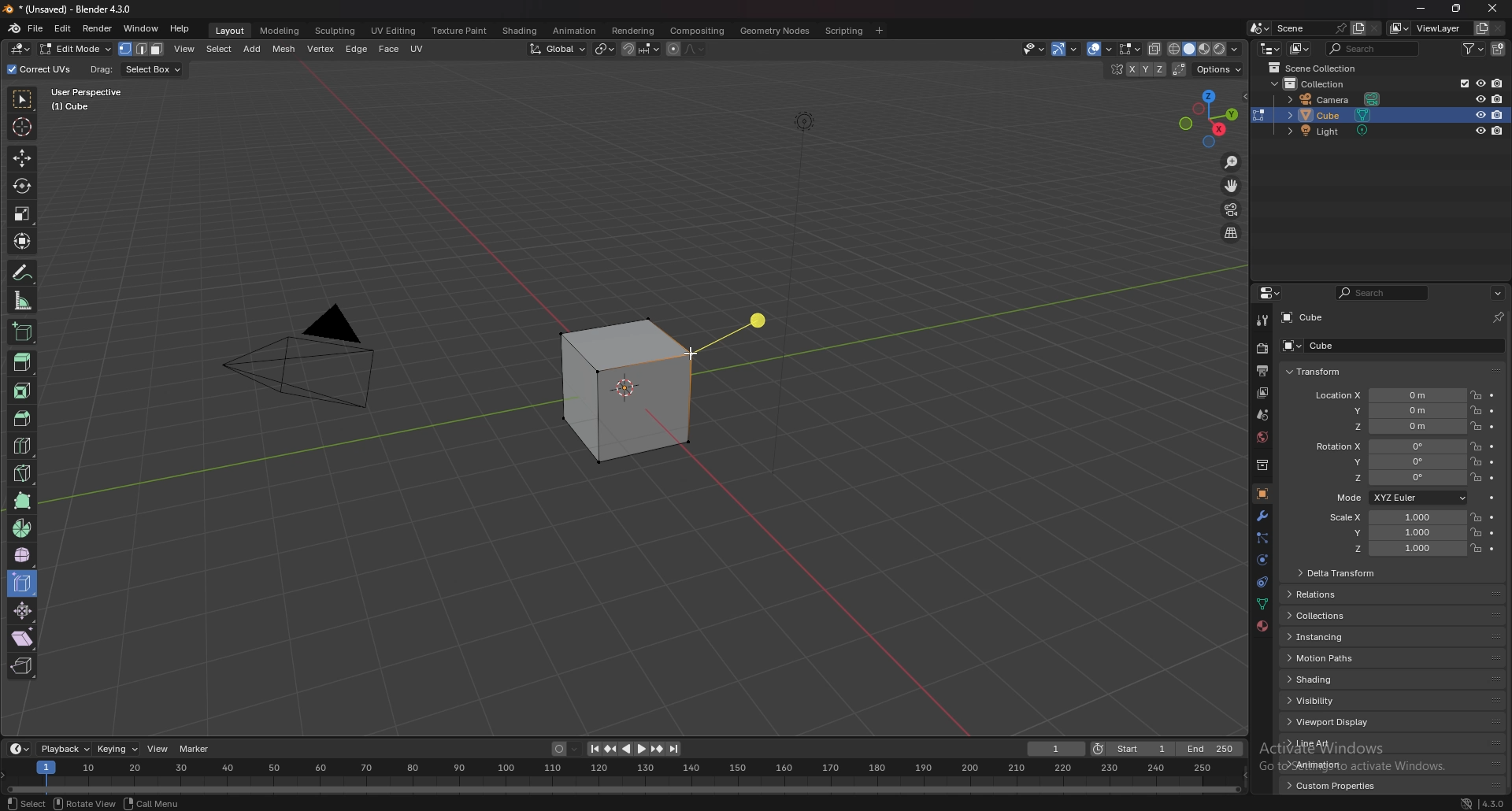 The width and height of the screenshot is (1512, 811). I want to click on window, so click(141, 28).